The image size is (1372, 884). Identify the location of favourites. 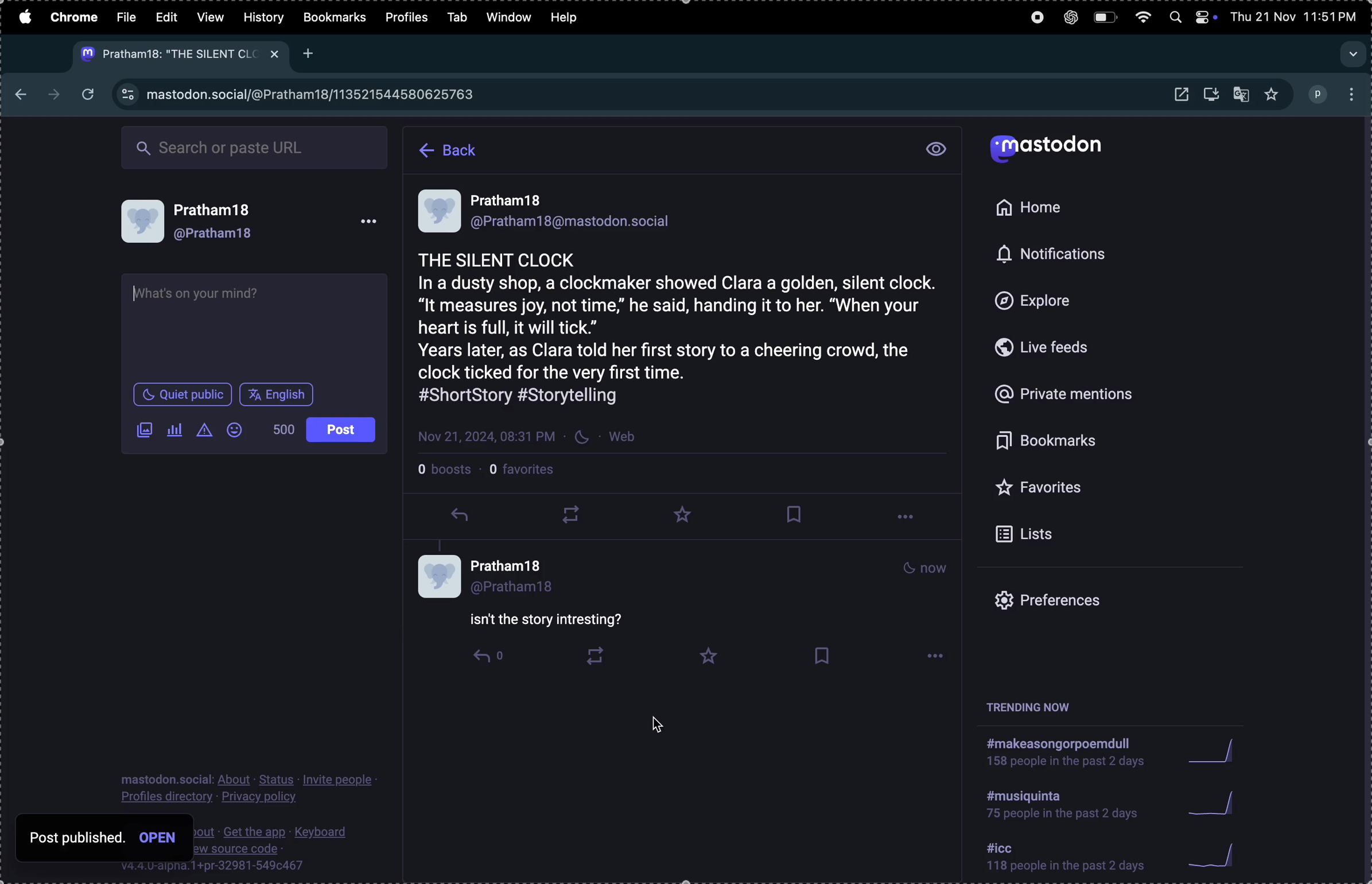
(1271, 95).